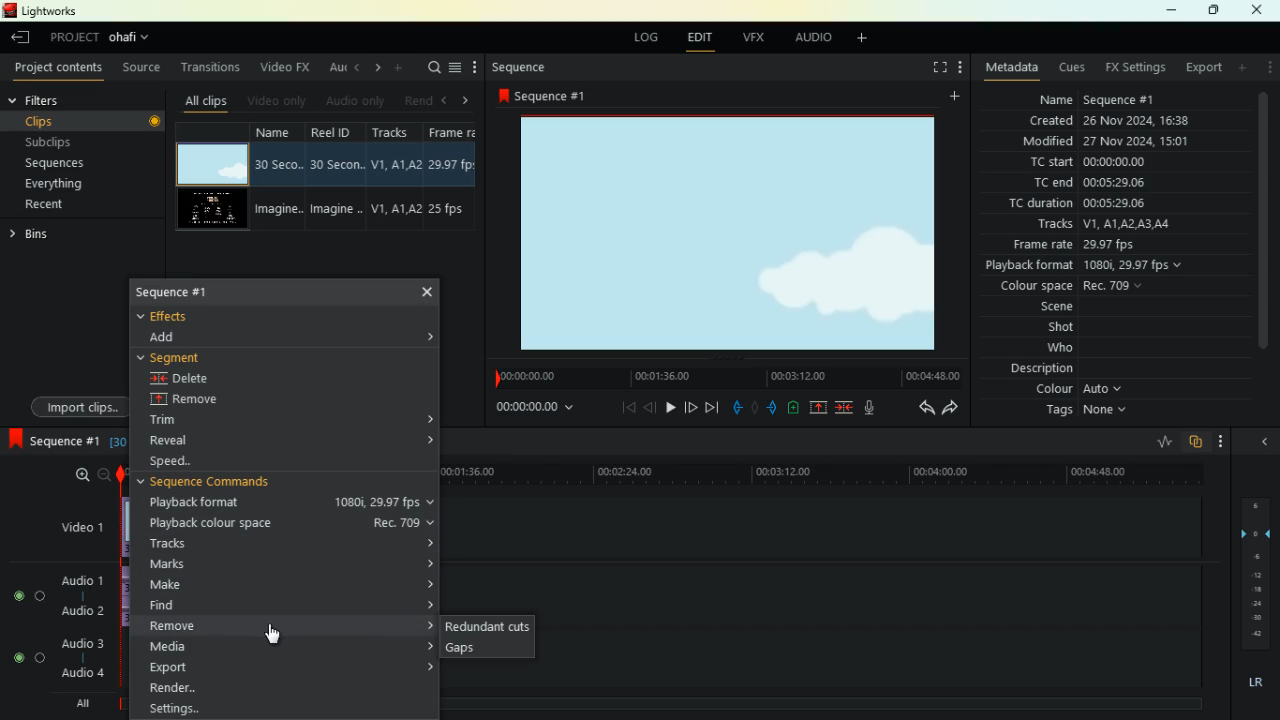 The height and width of the screenshot is (720, 1280). I want to click on cues, so click(1069, 69).